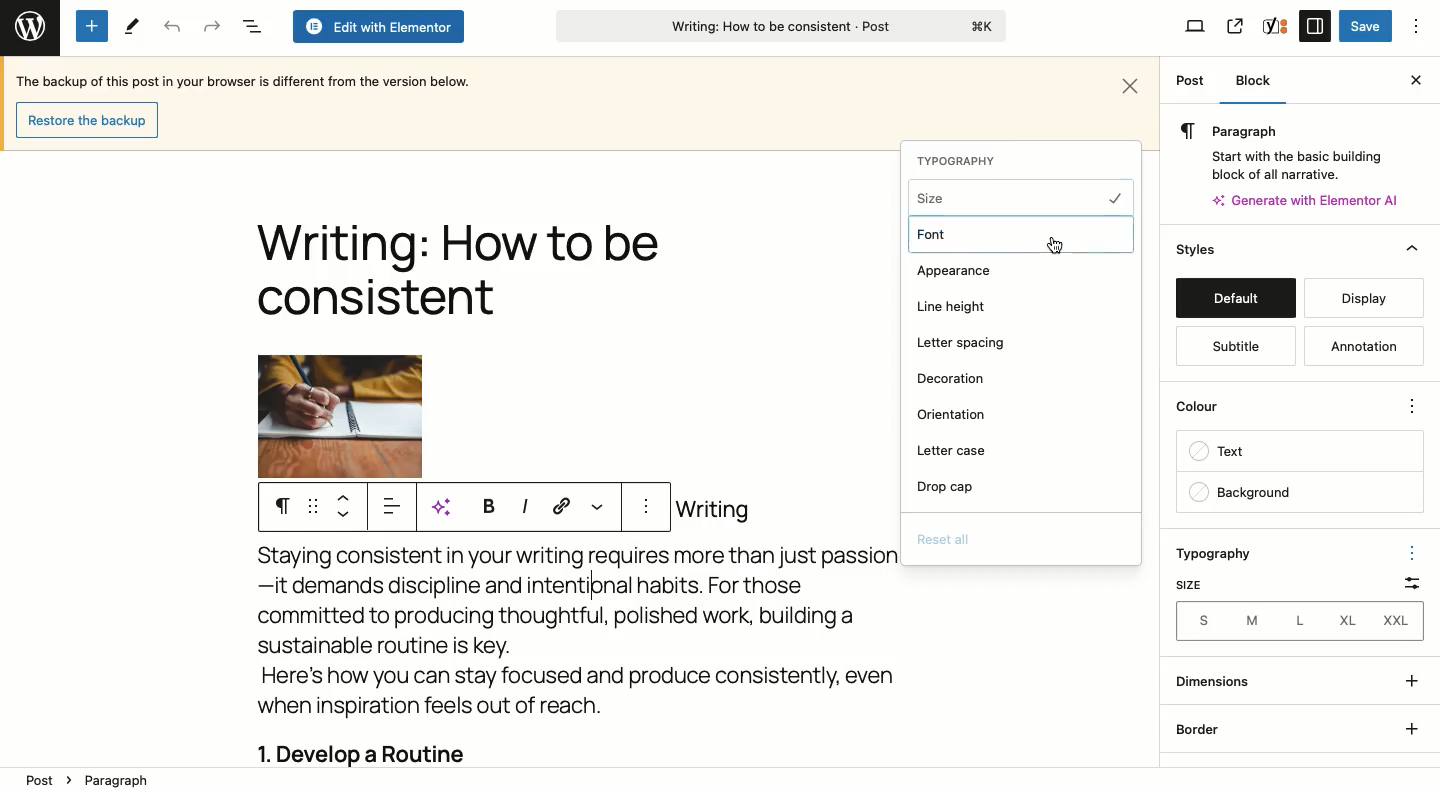 Image resolution: width=1440 pixels, height=792 pixels. What do you see at coordinates (1298, 622) in the screenshot?
I see `S M L XL XXL` at bounding box center [1298, 622].